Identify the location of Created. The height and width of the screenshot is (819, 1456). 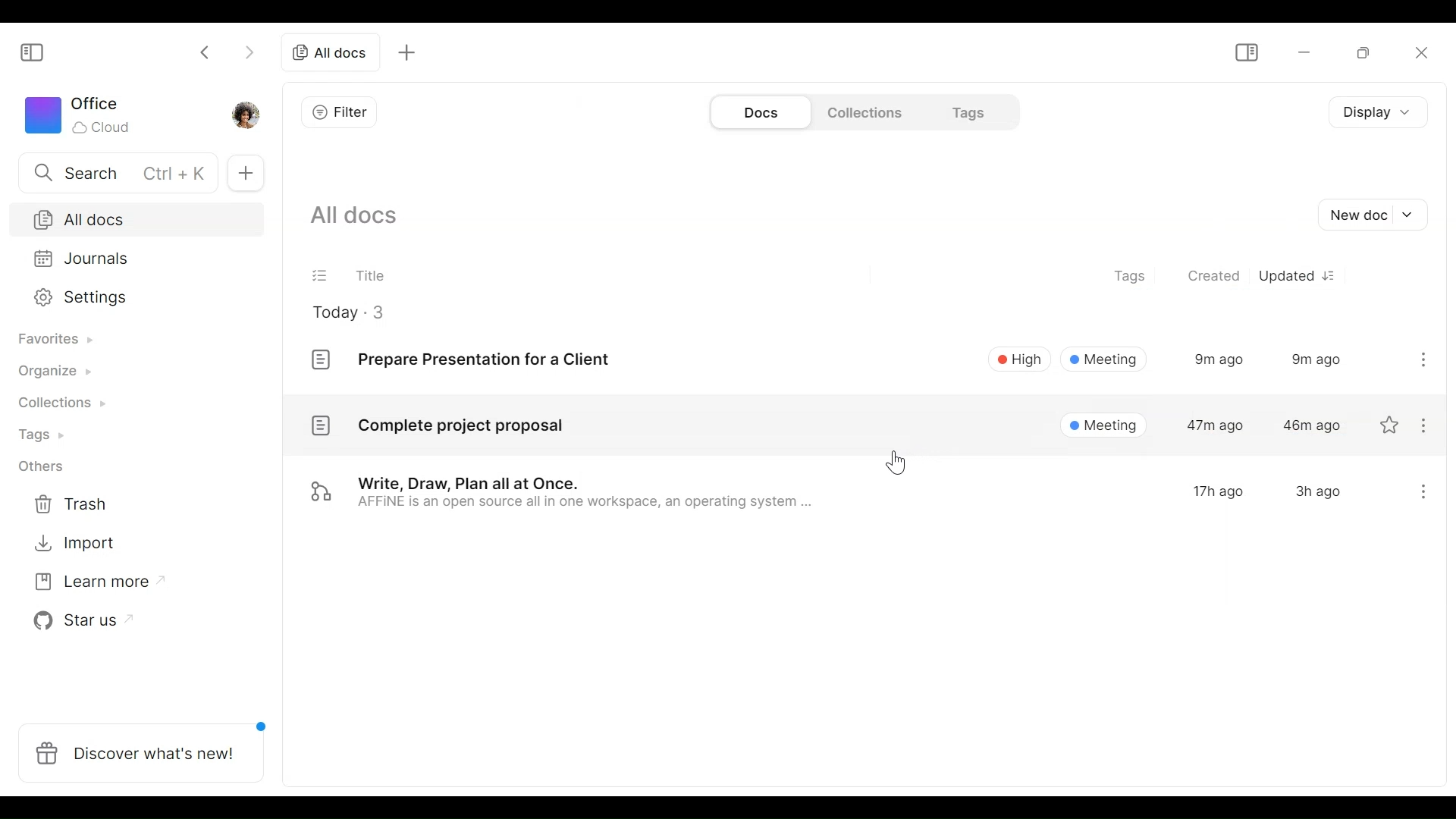
(1212, 277).